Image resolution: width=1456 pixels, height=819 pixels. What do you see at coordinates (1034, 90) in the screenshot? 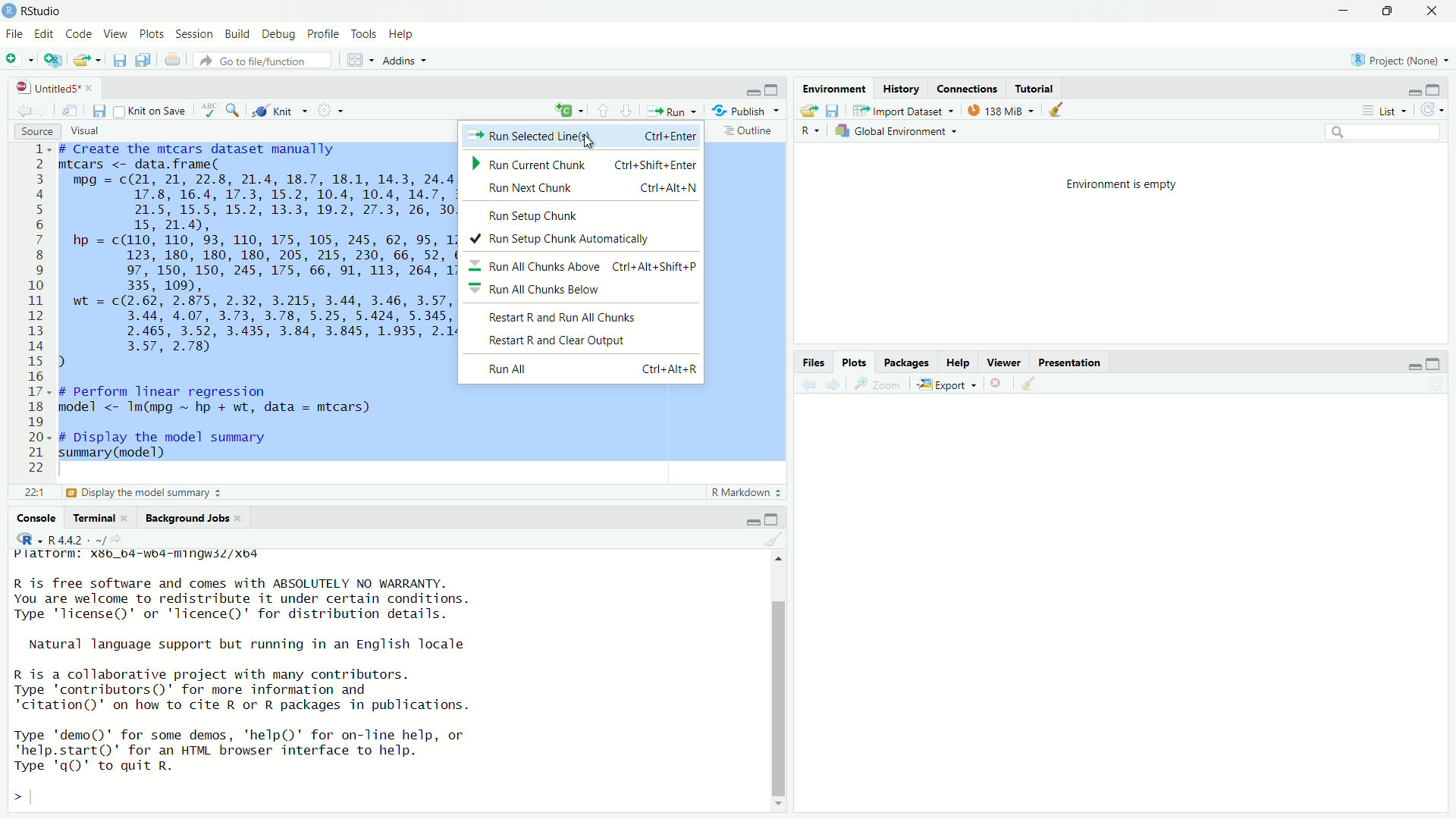
I see `Tutorial` at bounding box center [1034, 90].